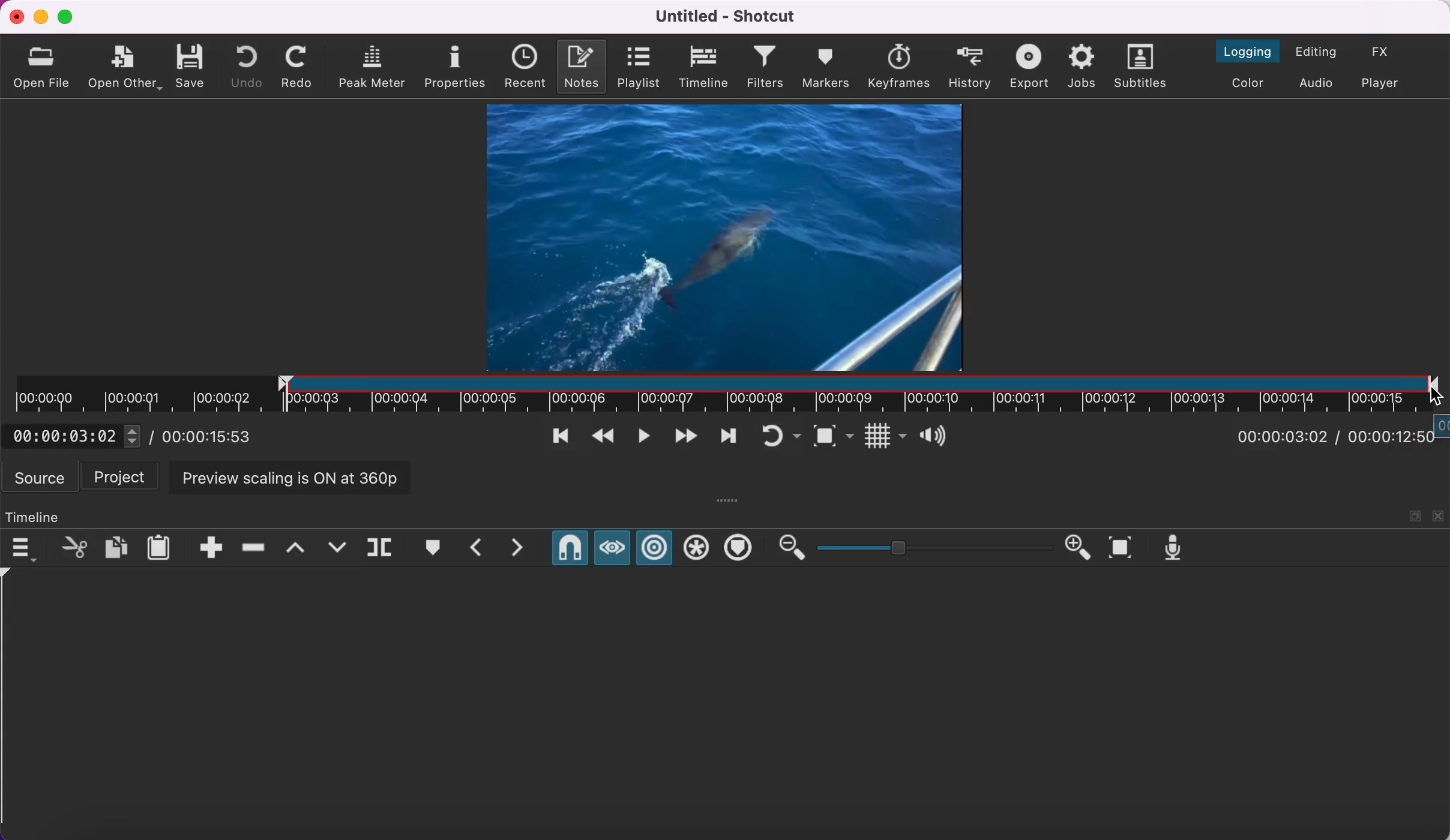 The image size is (1450, 840). What do you see at coordinates (39, 478) in the screenshot?
I see `source` at bounding box center [39, 478].